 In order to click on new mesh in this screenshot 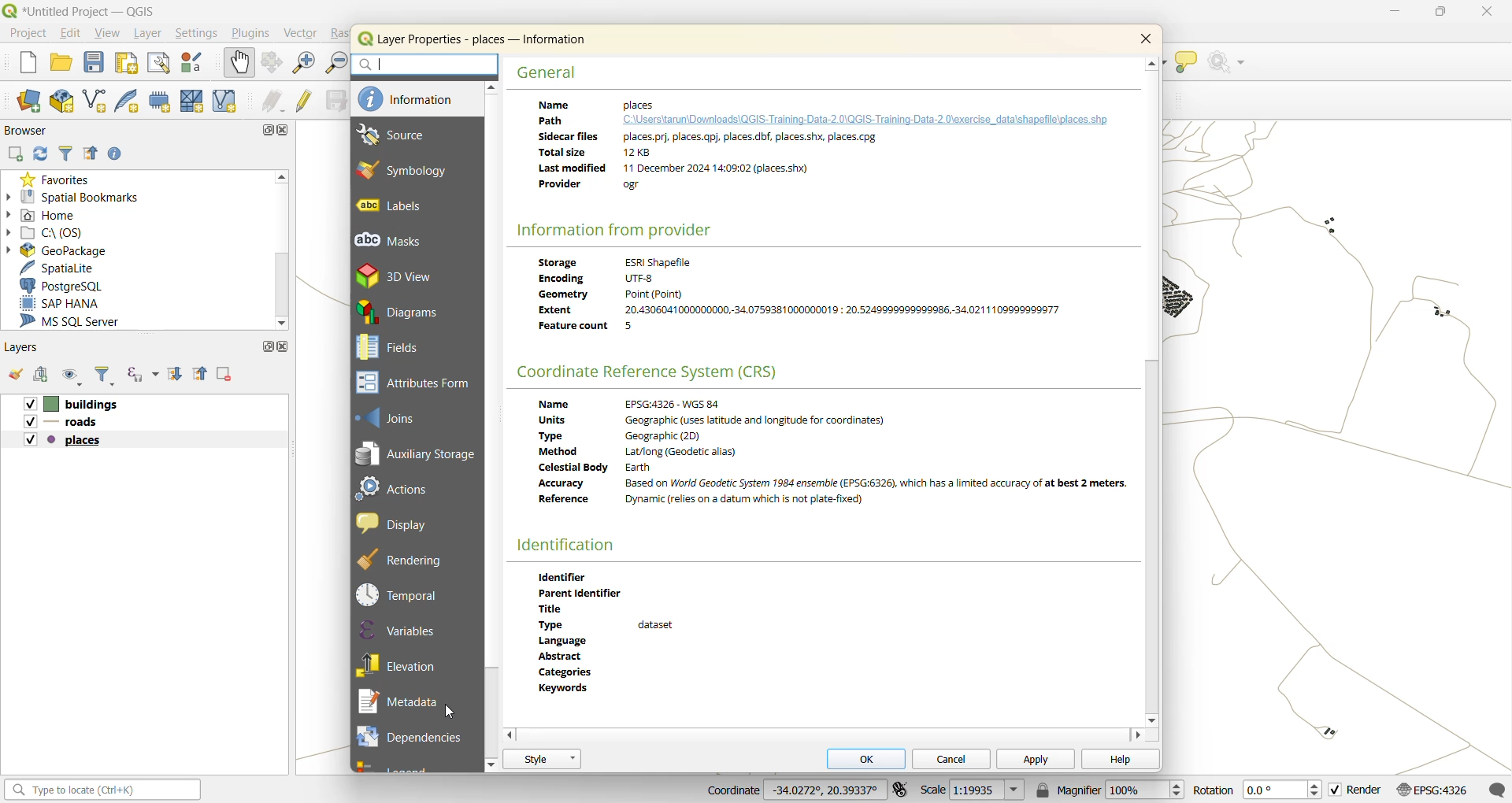, I will do `click(194, 102)`.